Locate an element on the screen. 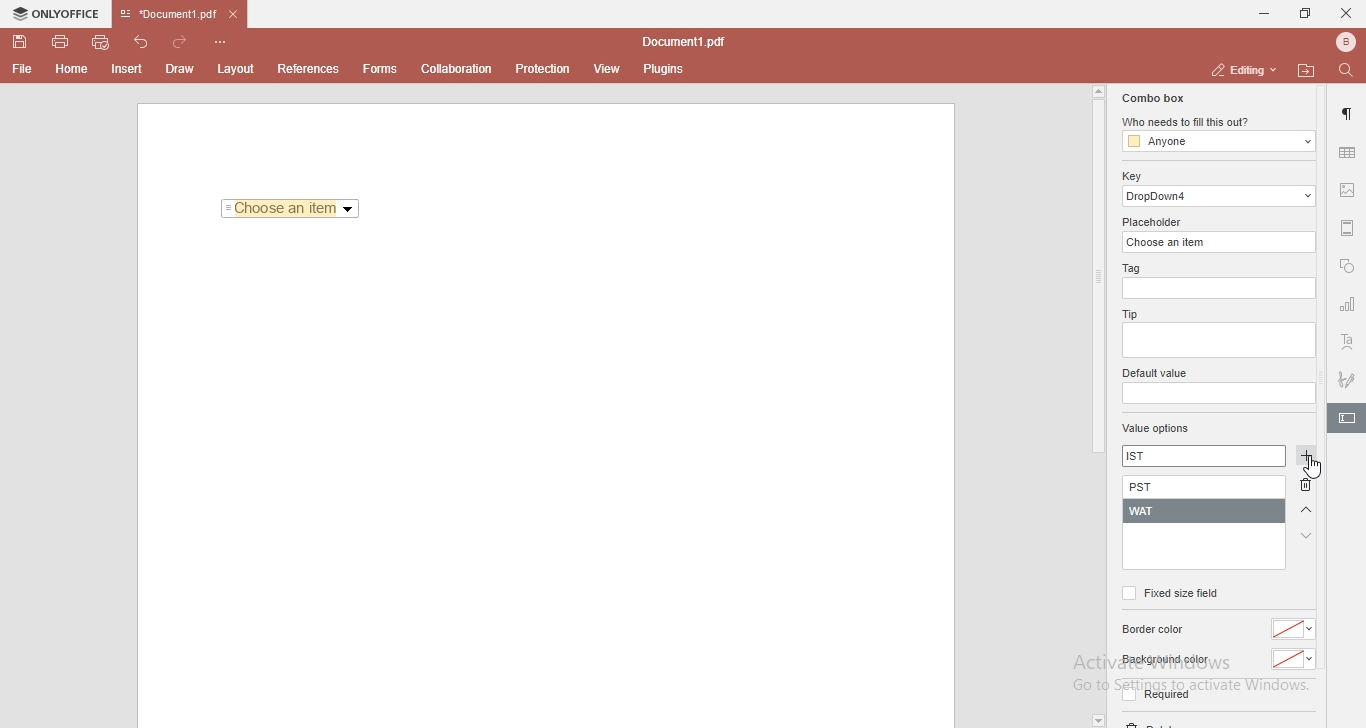 This screenshot has height=728, width=1366. find is located at coordinates (1350, 69).